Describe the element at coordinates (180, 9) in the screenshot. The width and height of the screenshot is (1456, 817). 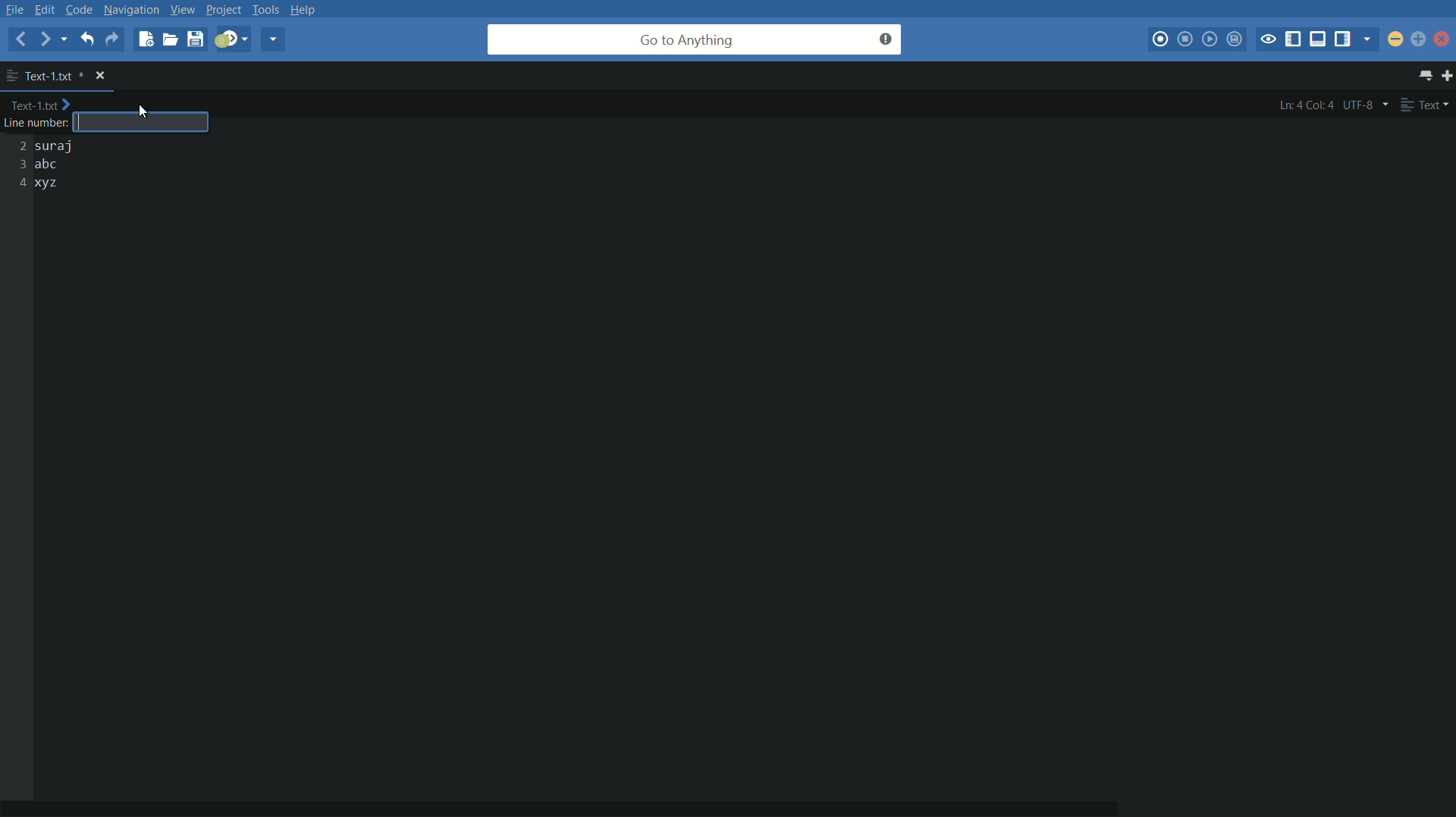
I see `view` at that location.